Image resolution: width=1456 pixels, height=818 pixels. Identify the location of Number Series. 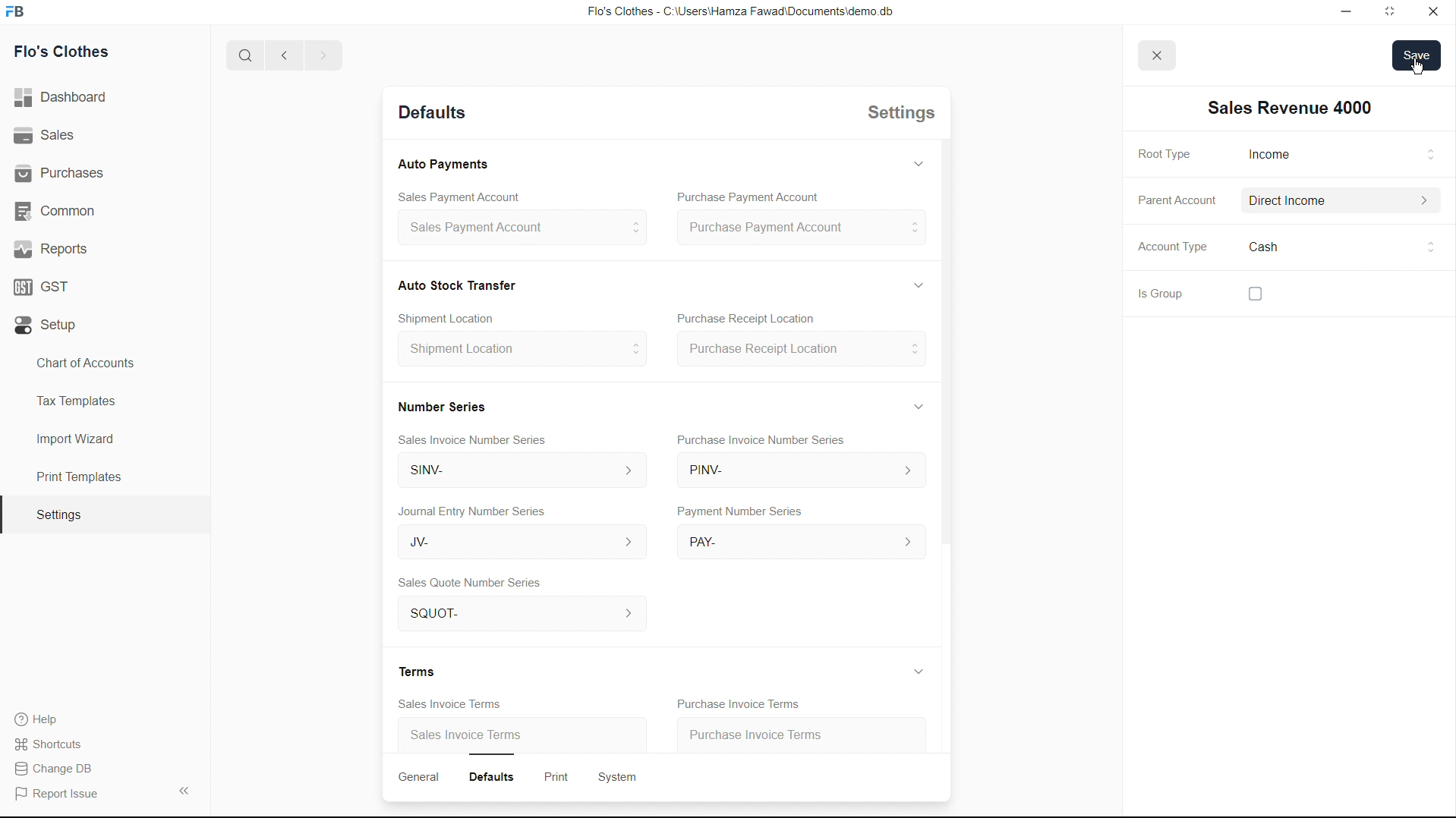
(440, 404).